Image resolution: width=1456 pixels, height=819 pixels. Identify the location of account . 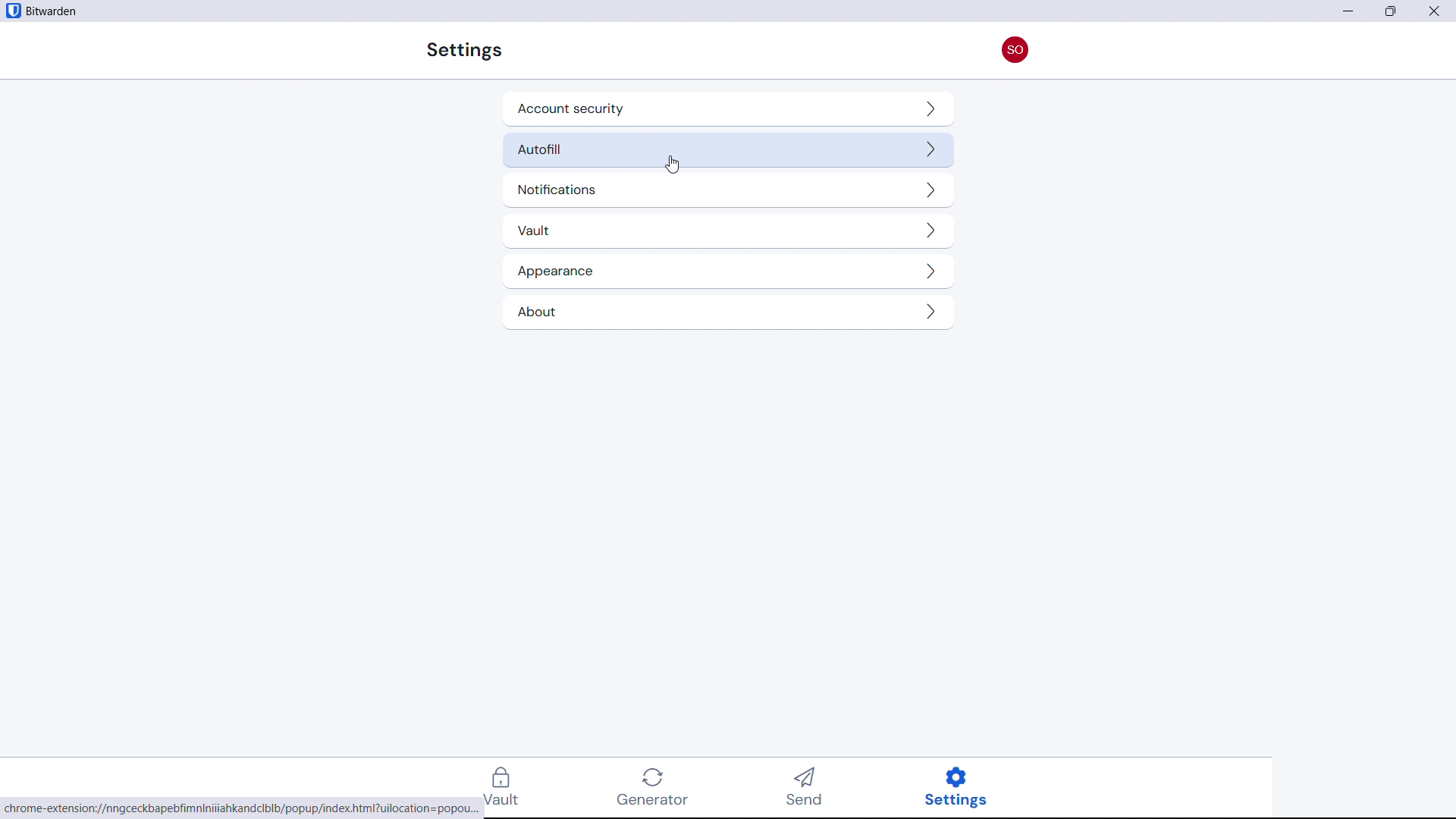
(1016, 49).